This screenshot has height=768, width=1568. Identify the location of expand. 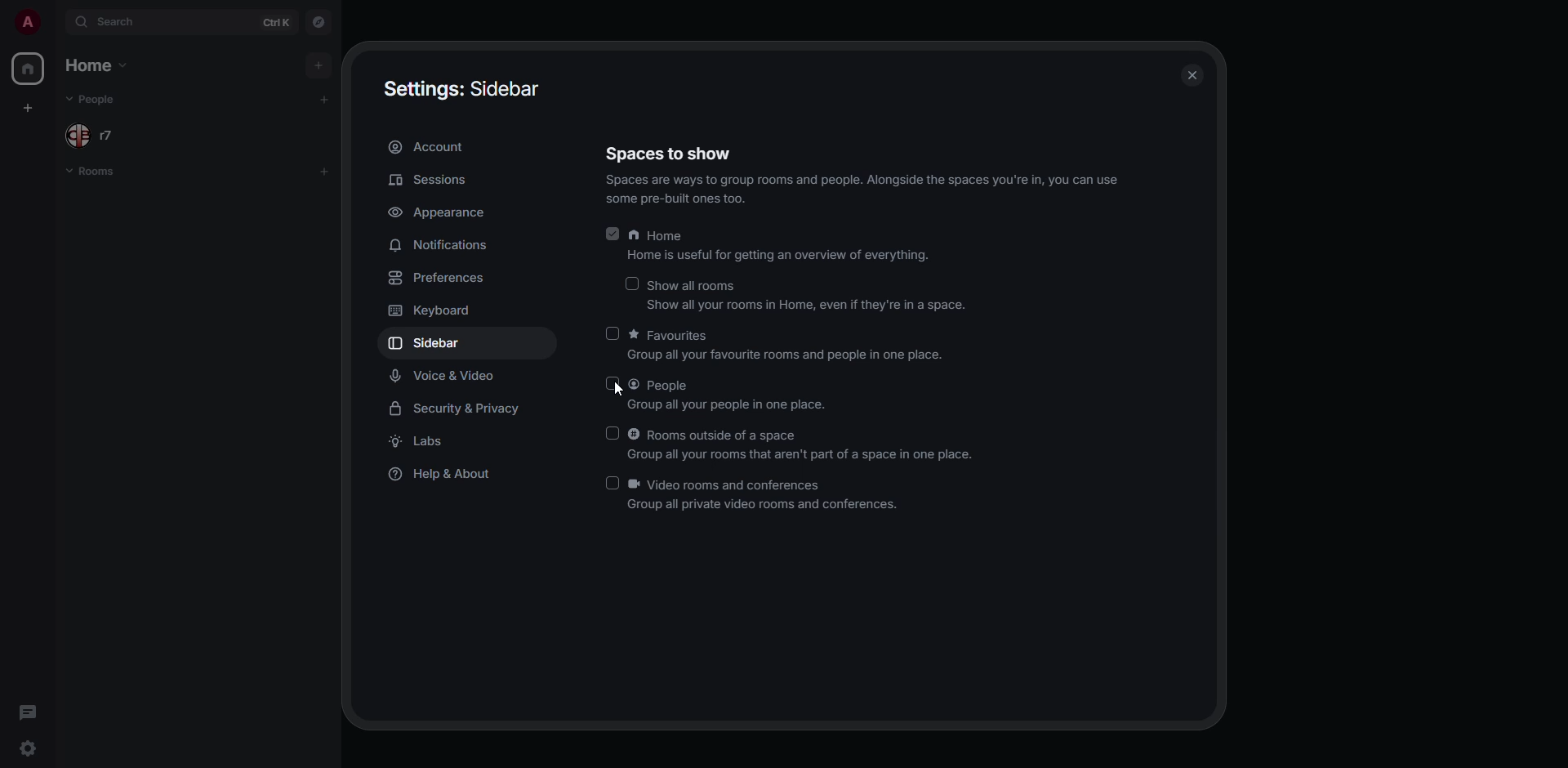
(55, 21).